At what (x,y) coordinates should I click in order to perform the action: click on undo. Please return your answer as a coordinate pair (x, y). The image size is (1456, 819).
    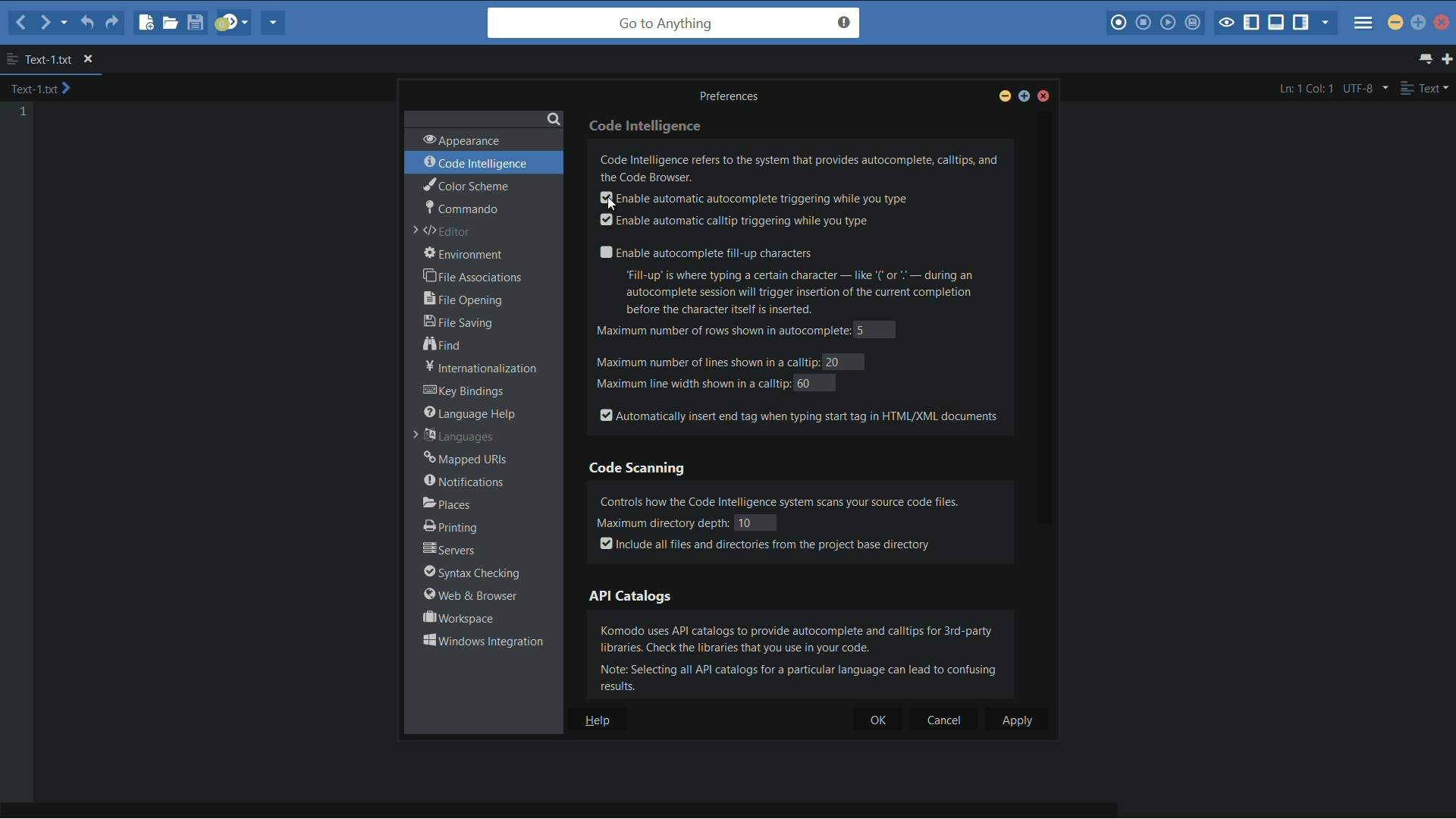
    Looking at the image, I should click on (85, 24).